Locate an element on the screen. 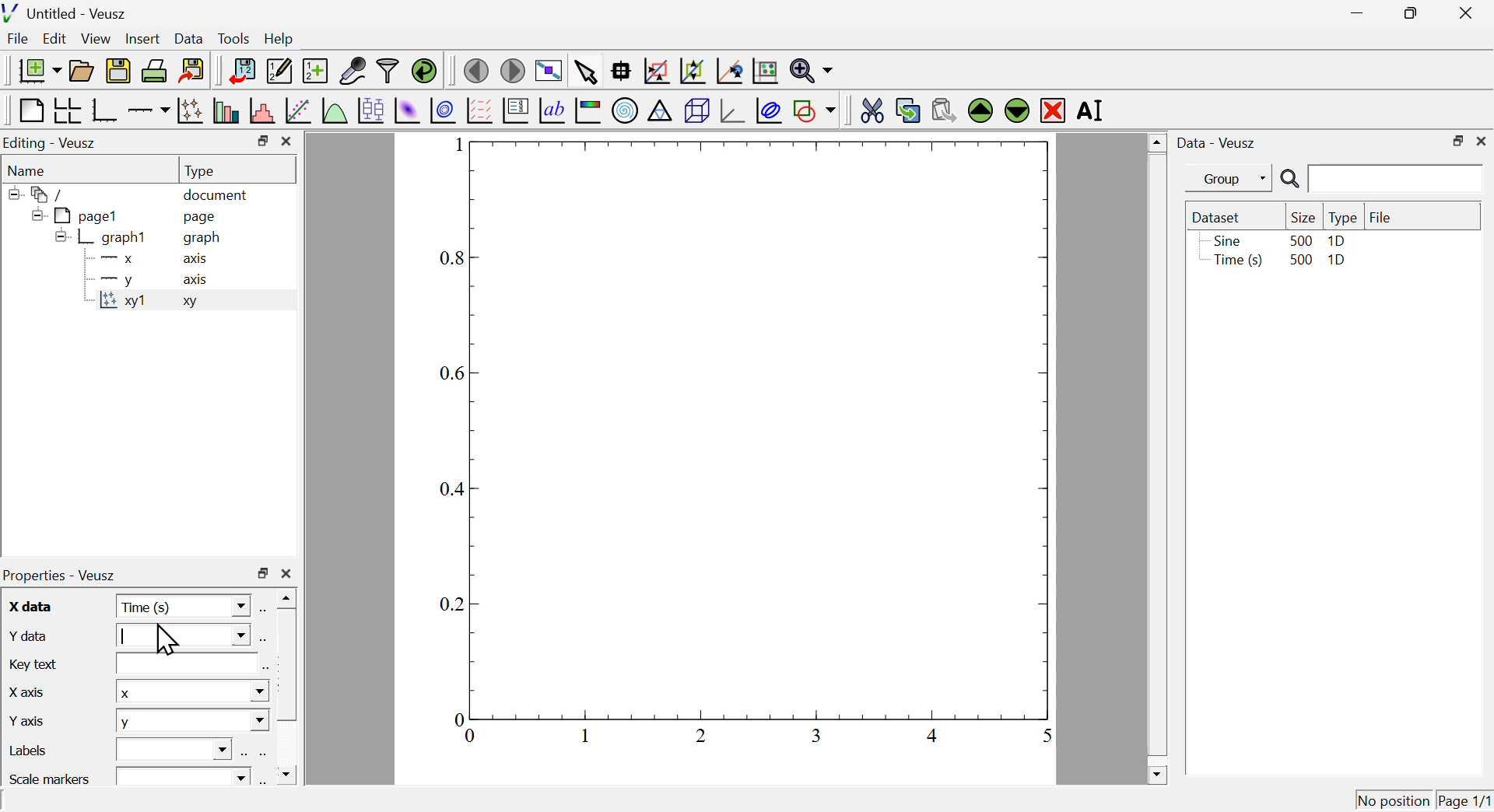  plot points with lines and errorbars is located at coordinates (190, 110).